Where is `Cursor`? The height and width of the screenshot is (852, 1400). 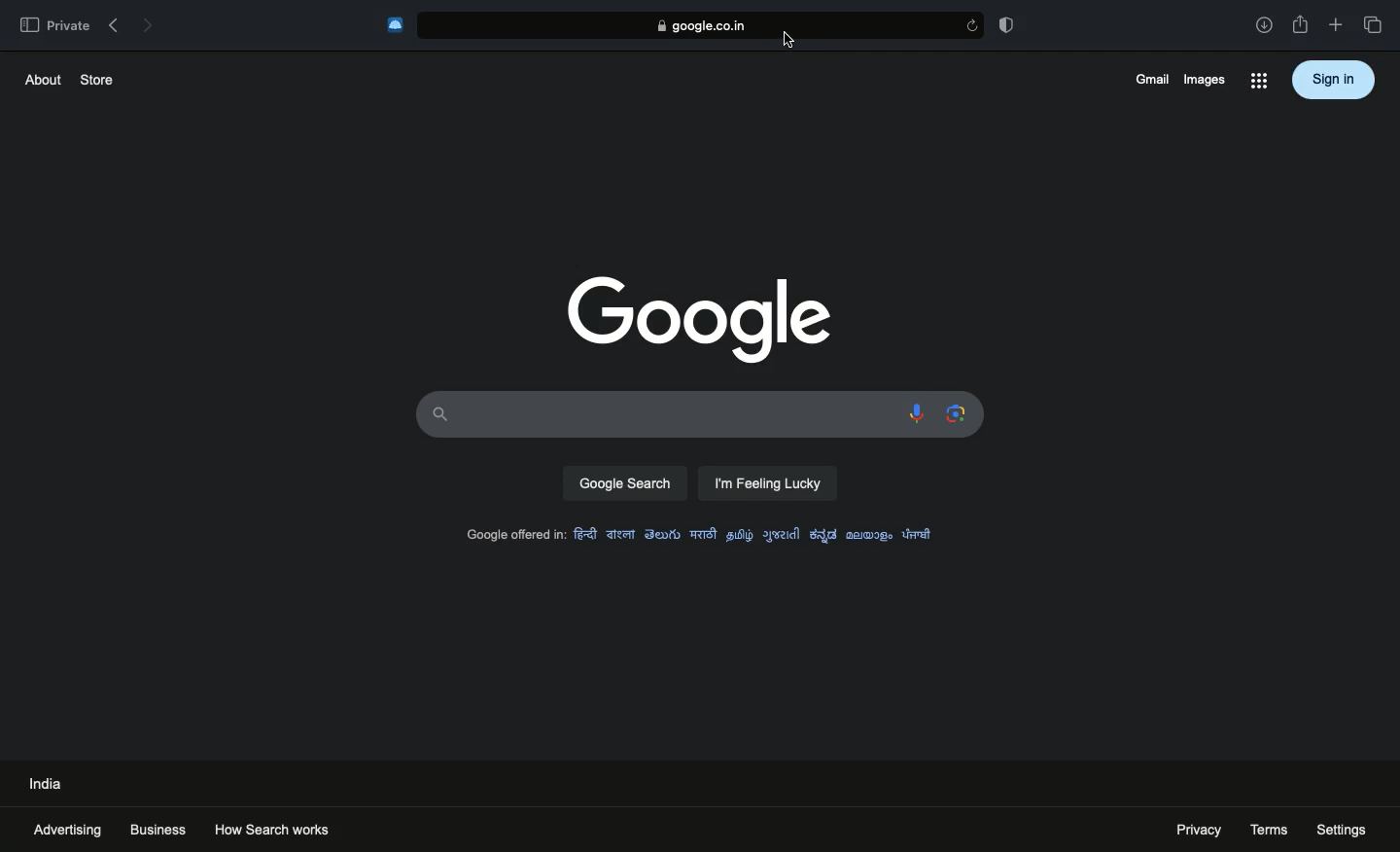
Cursor is located at coordinates (786, 40).